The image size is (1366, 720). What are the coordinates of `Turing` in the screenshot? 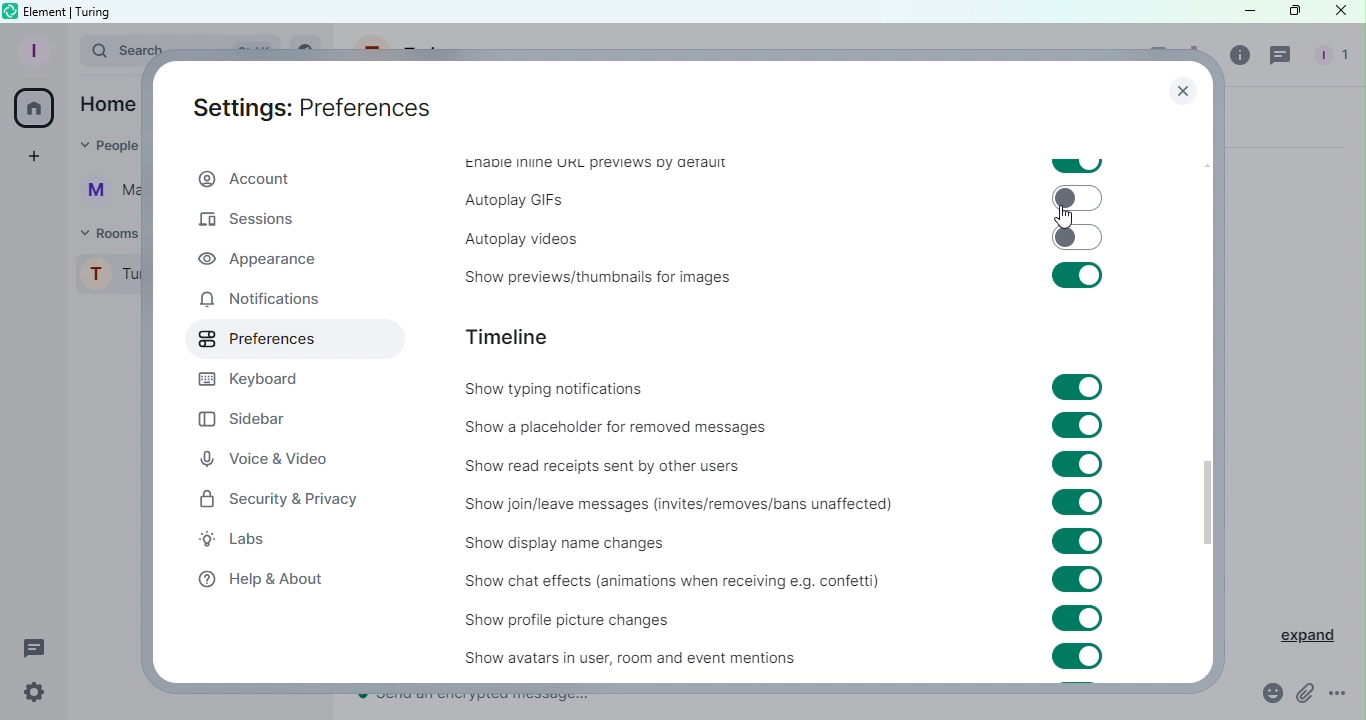 It's located at (109, 279).